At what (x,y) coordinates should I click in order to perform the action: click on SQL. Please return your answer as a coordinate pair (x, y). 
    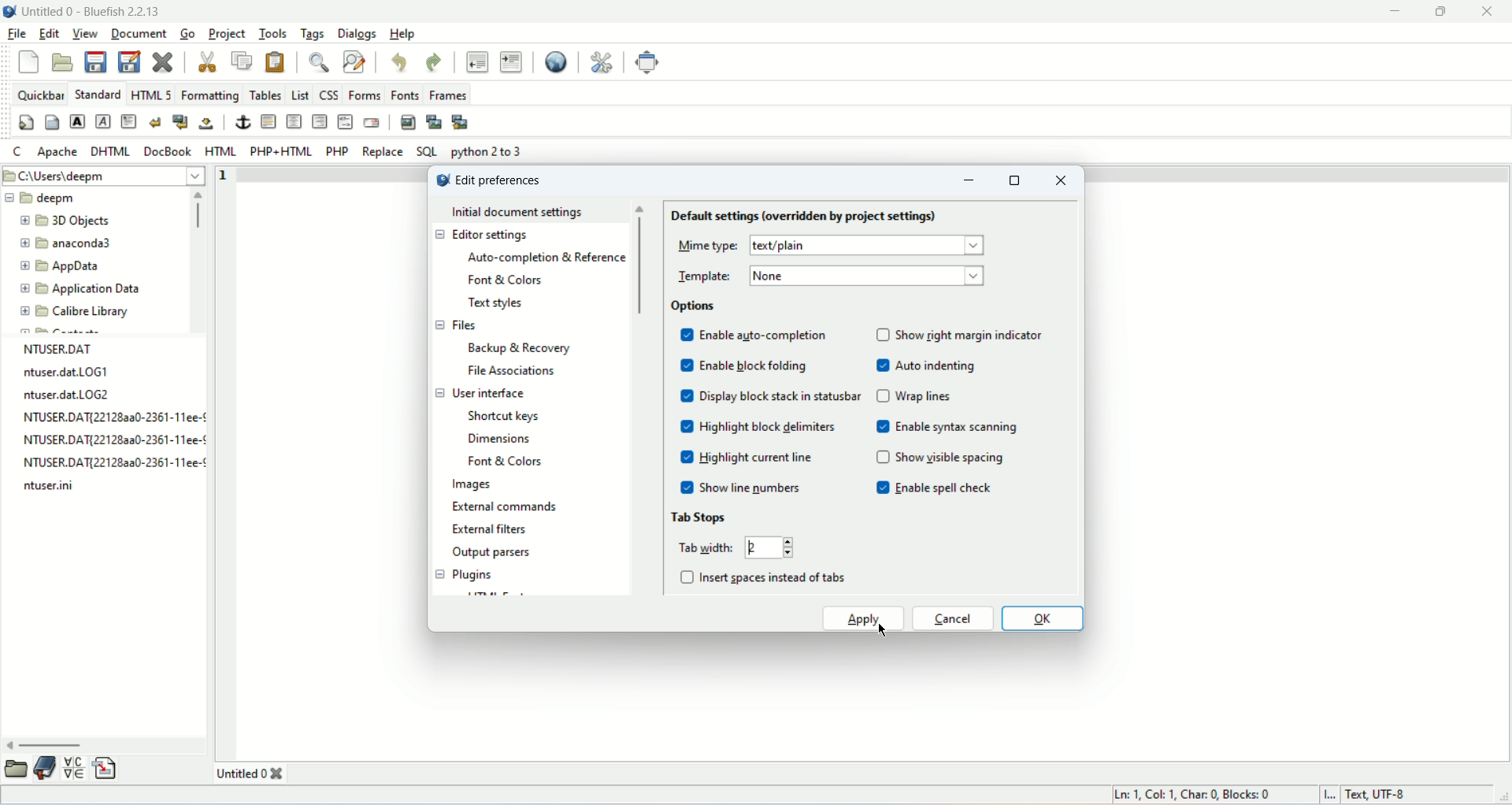
    Looking at the image, I should click on (427, 151).